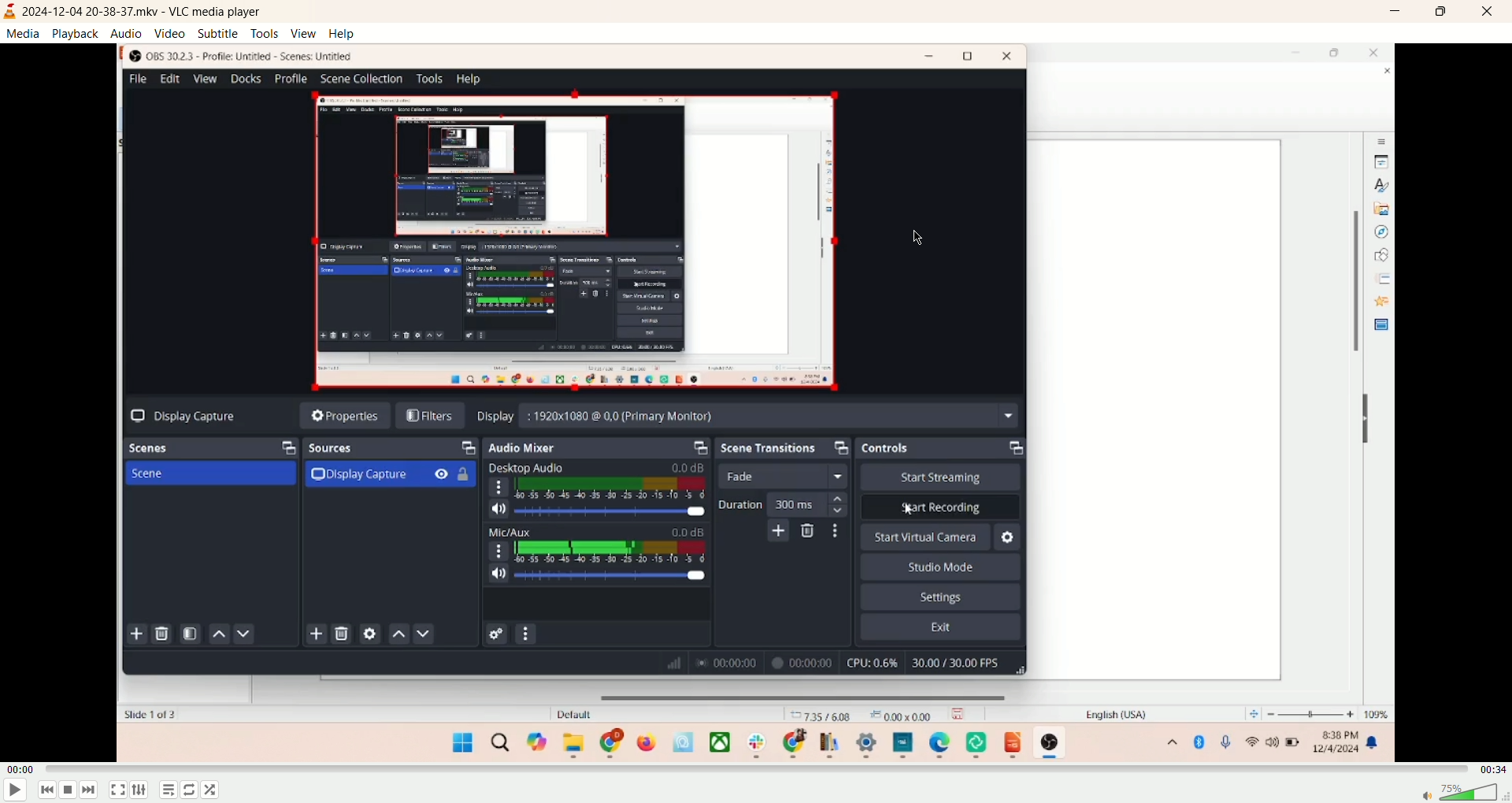 The width and height of the screenshot is (1512, 803). What do you see at coordinates (1451, 791) in the screenshot?
I see `volume bar` at bounding box center [1451, 791].